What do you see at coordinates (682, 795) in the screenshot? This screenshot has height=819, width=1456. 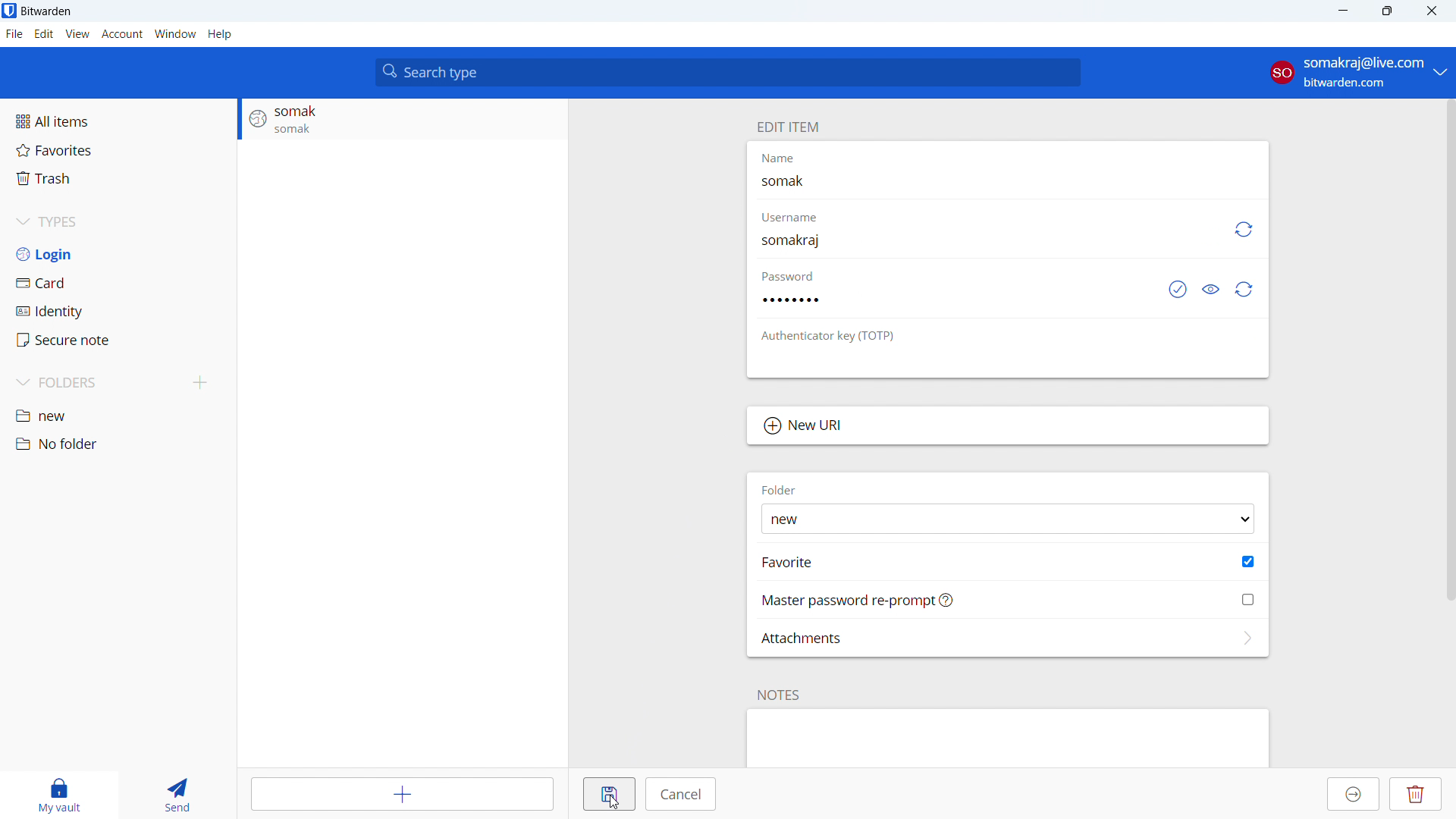 I see `cancel` at bounding box center [682, 795].